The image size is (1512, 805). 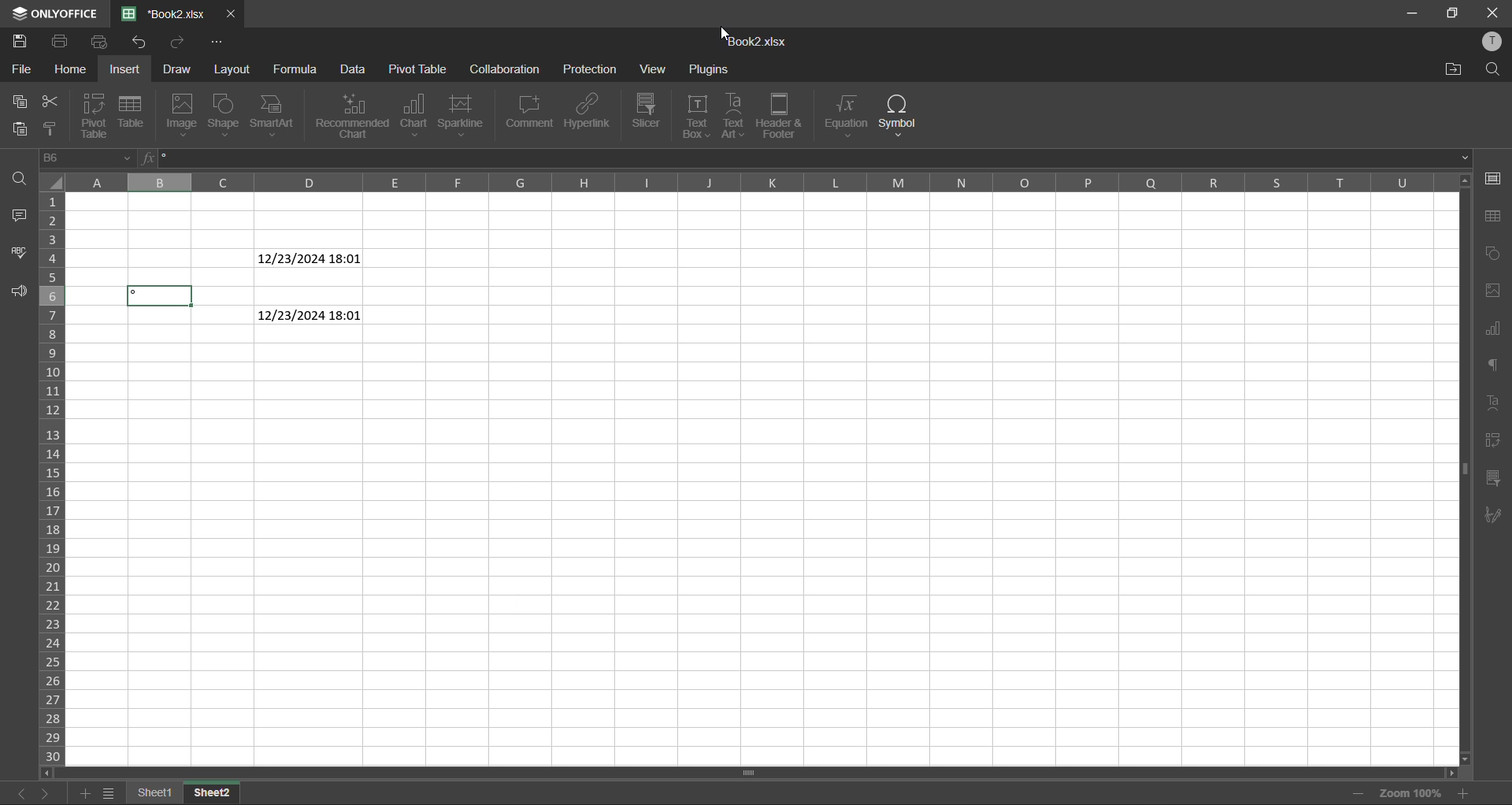 I want to click on text box, so click(x=702, y=117).